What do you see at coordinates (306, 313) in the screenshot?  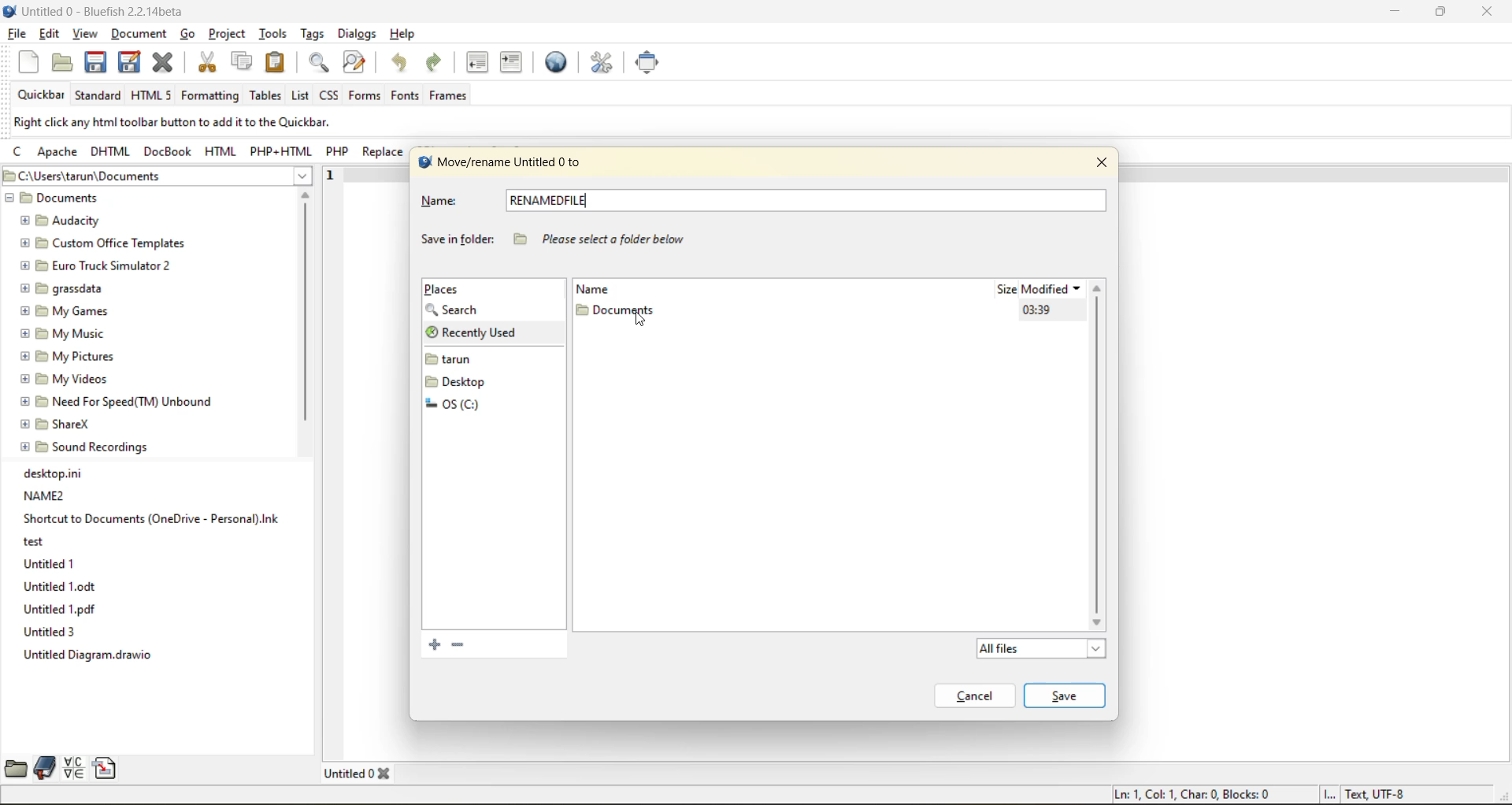 I see `vertical scroll bar` at bounding box center [306, 313].